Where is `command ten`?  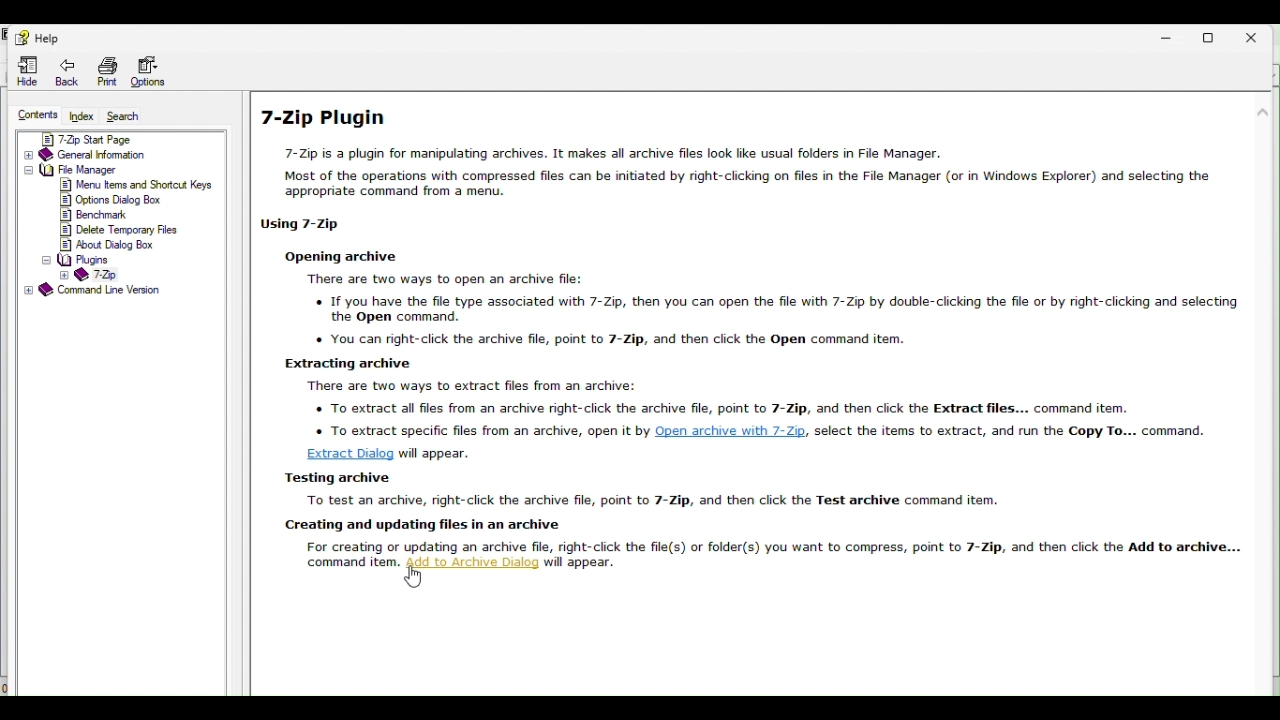 command ten is located at coordinates (347, 562).